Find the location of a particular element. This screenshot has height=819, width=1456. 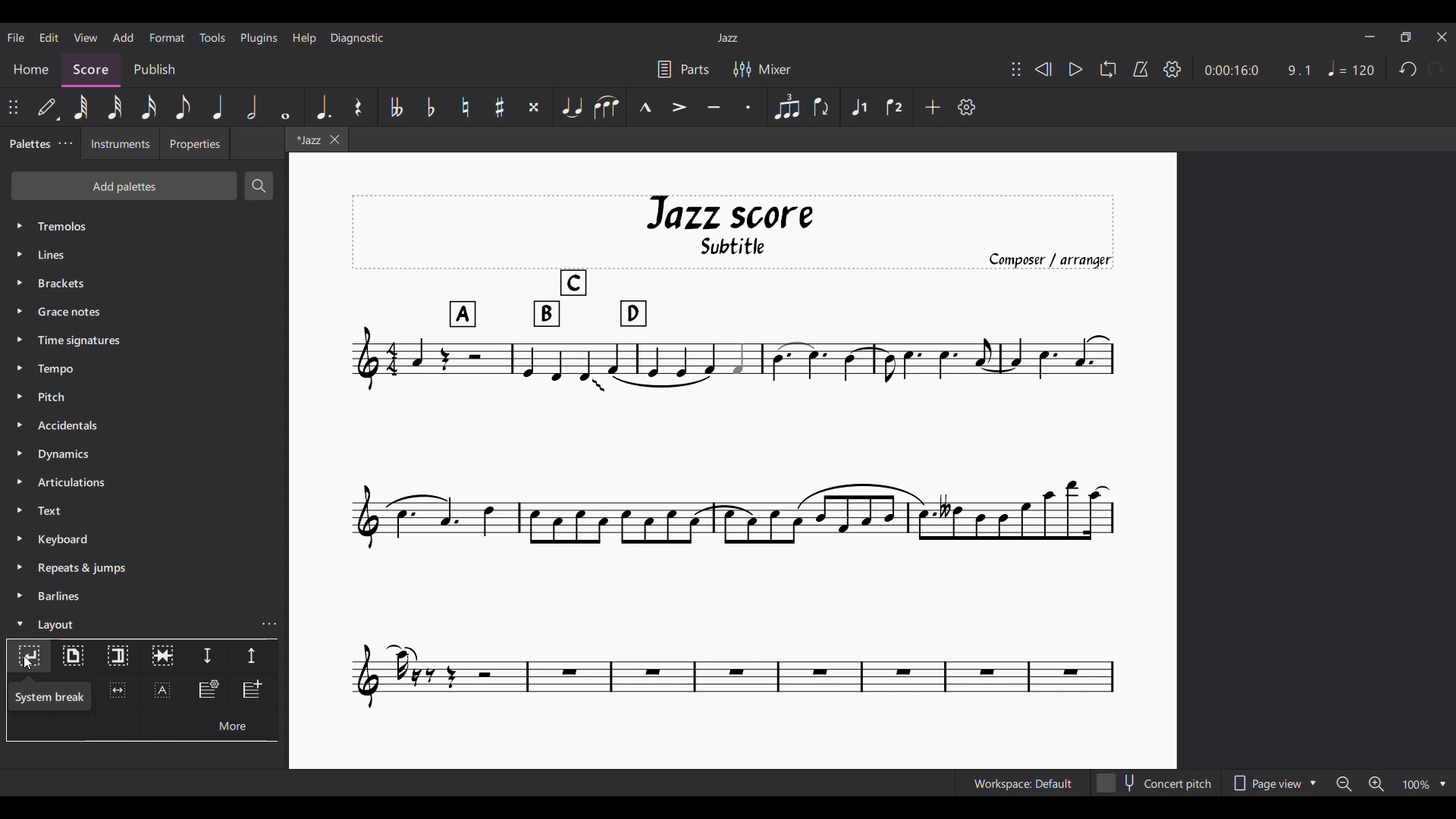

Change position is located at coordinates (1016, 69).